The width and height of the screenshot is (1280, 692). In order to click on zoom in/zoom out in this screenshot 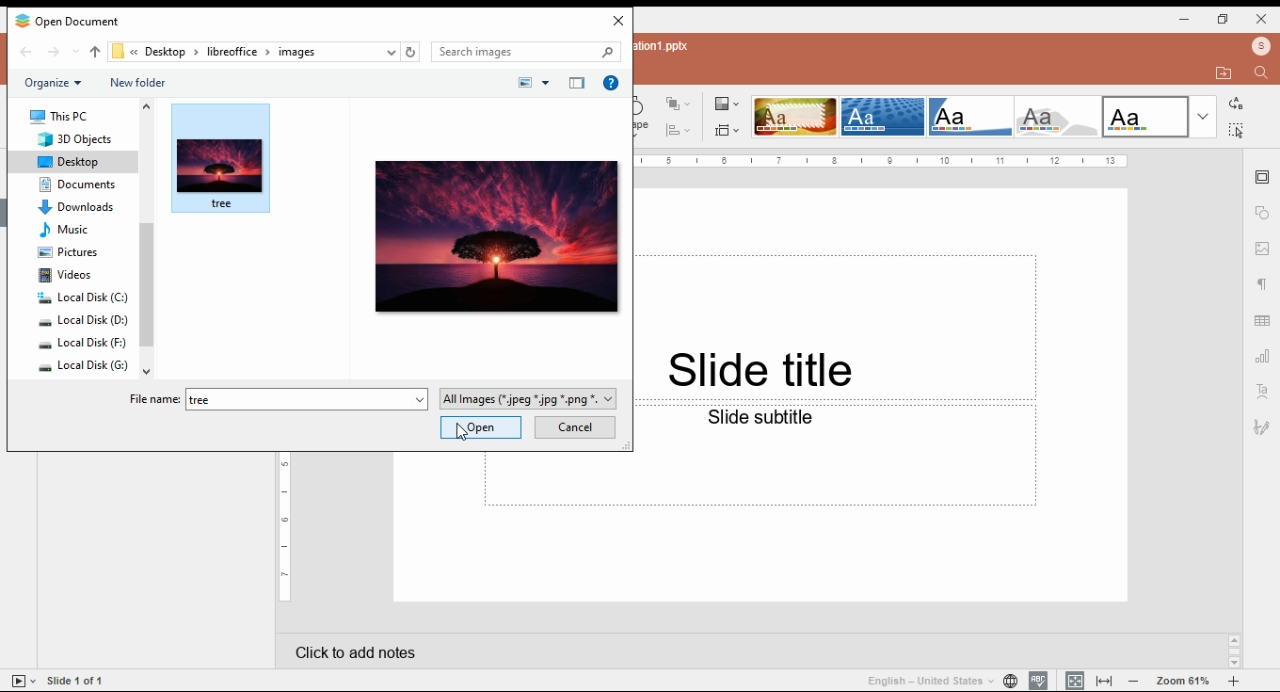, I will do `click(1183, 679)`.